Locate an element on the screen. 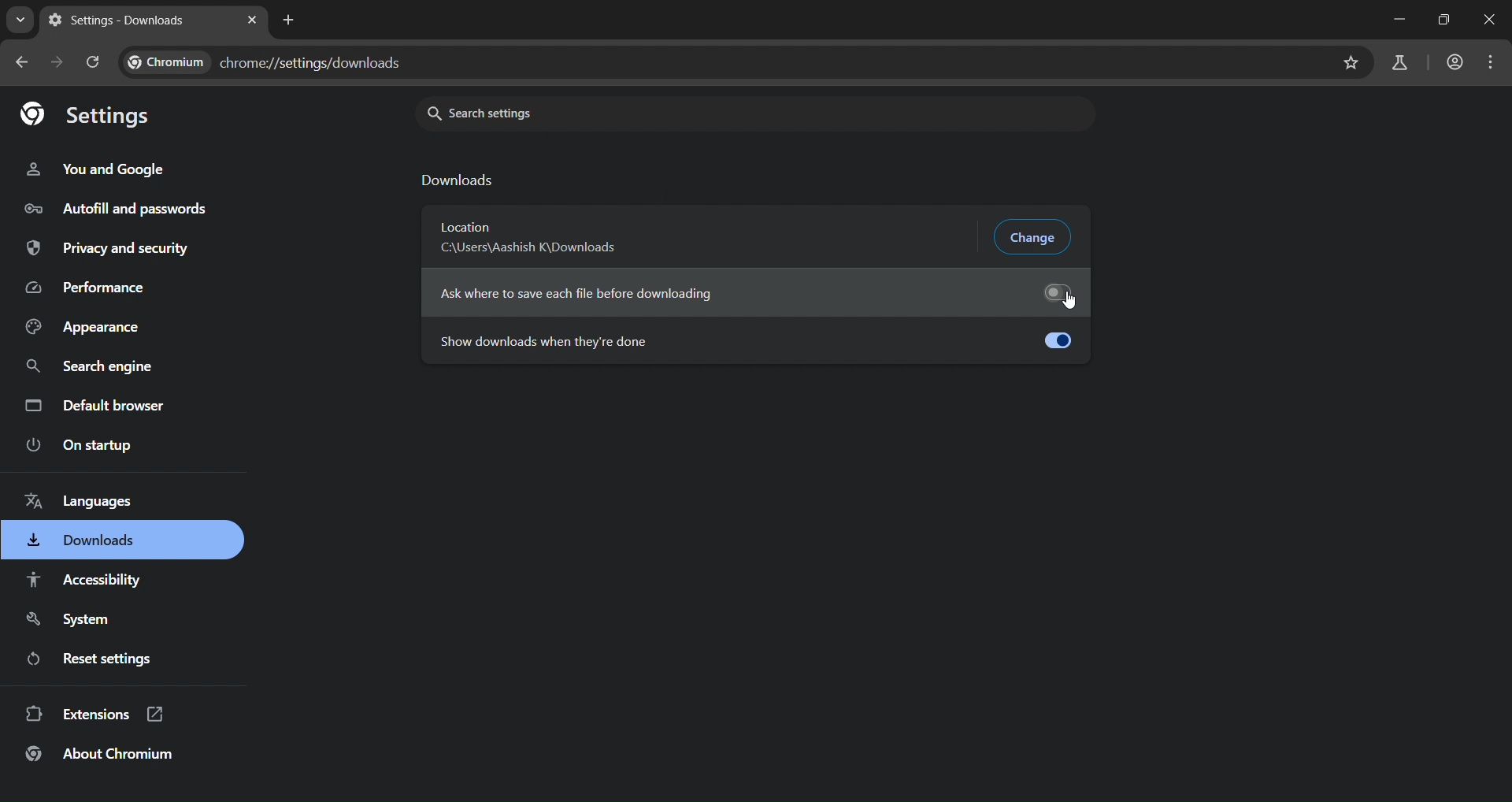 The height and width of the screenshot is (802, 1512). search tabs is located at coordinates (17, 20).